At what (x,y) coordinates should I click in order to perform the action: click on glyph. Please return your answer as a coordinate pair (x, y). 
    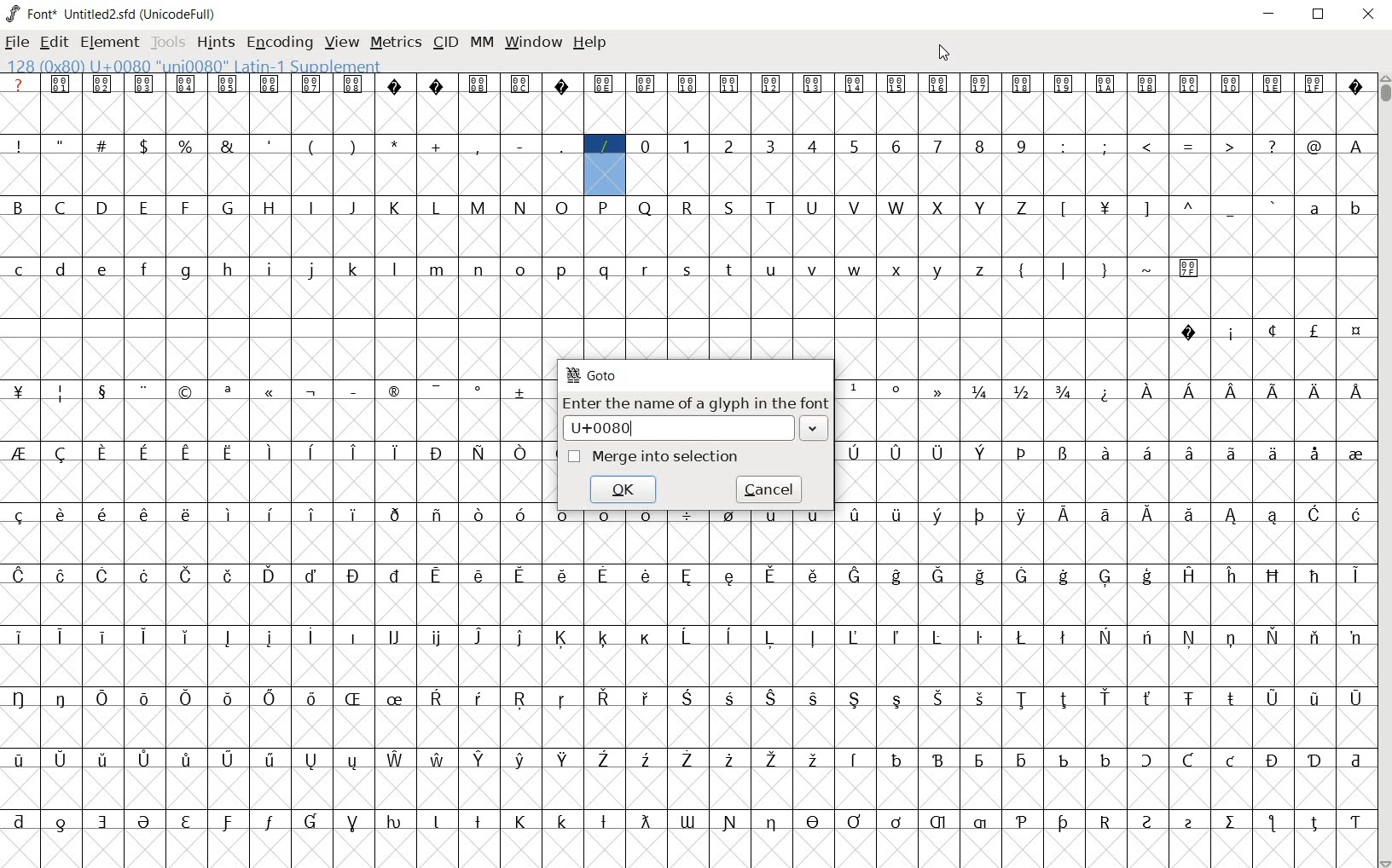
    Looking at the image, I should click on (438, 759).